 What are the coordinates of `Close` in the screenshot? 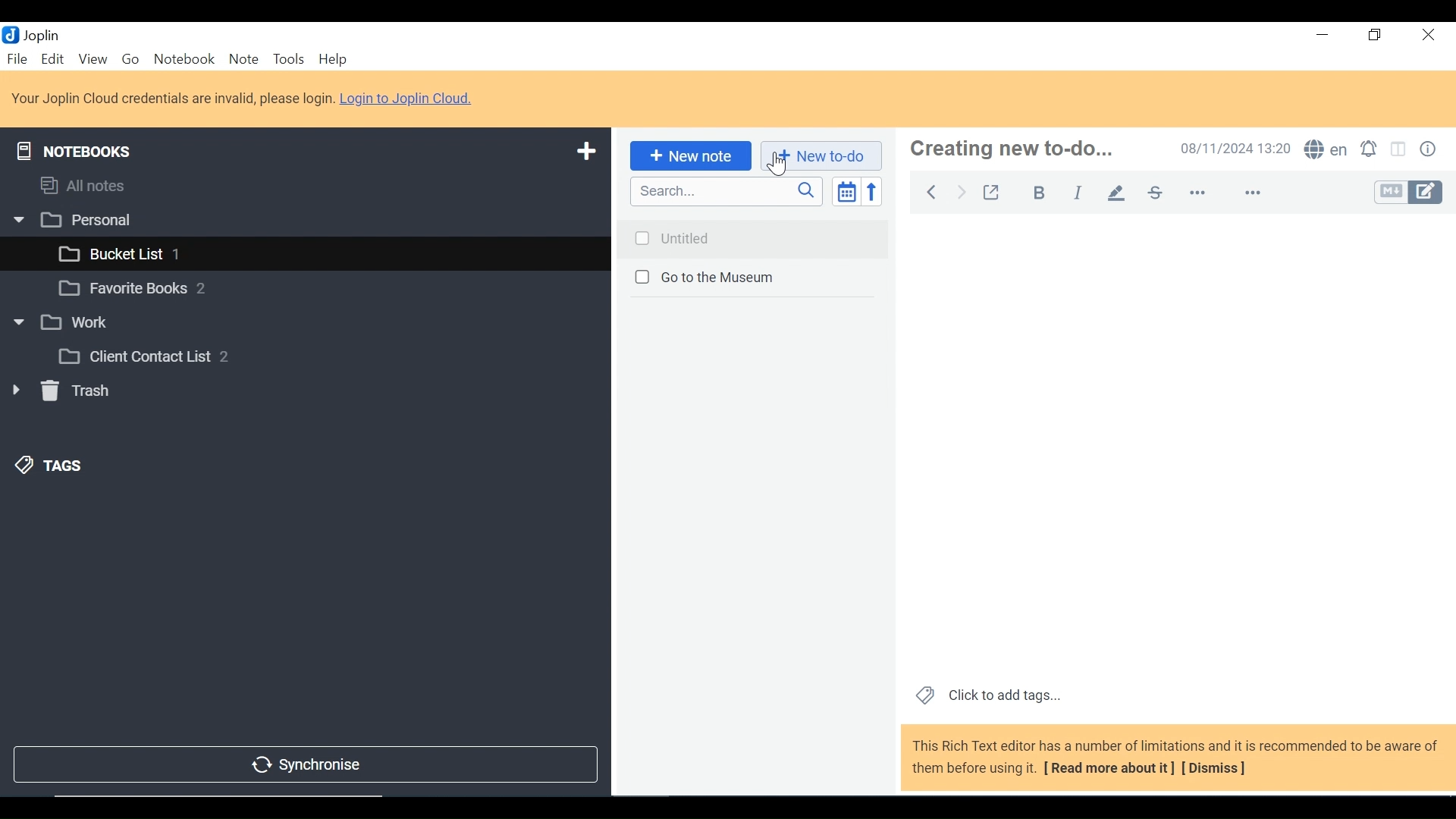 It's located at (1426, 37).